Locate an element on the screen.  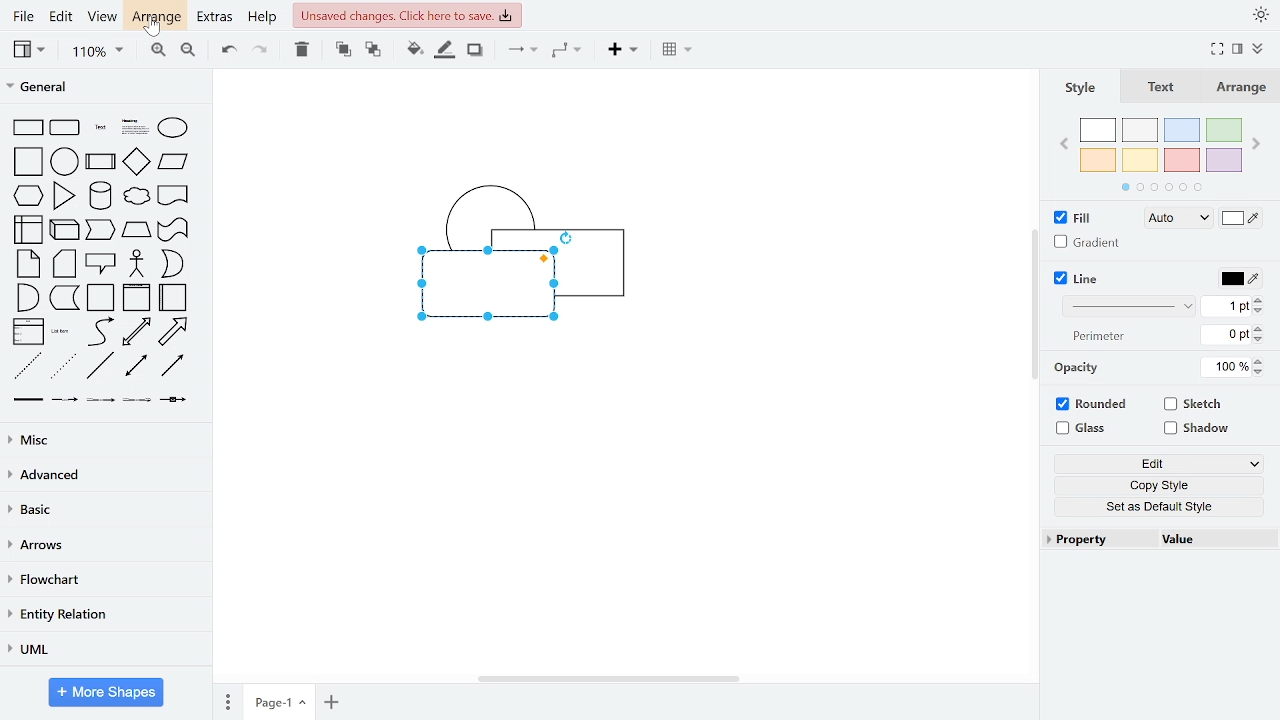
fill colors is located at coordinates (1240, 218).